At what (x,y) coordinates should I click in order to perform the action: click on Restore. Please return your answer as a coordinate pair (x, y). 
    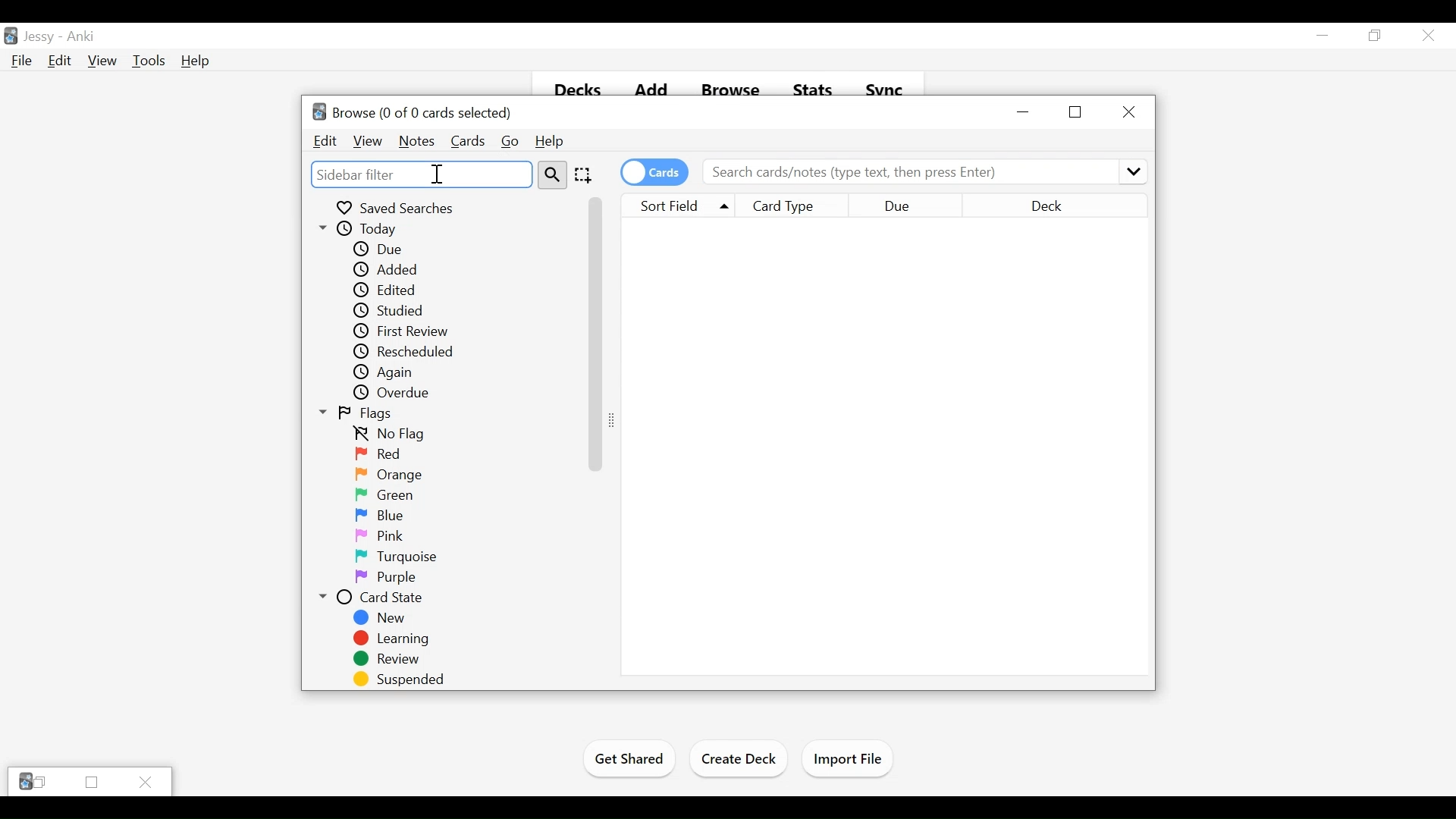
    Looking at the image, I should click on (1373, 36).